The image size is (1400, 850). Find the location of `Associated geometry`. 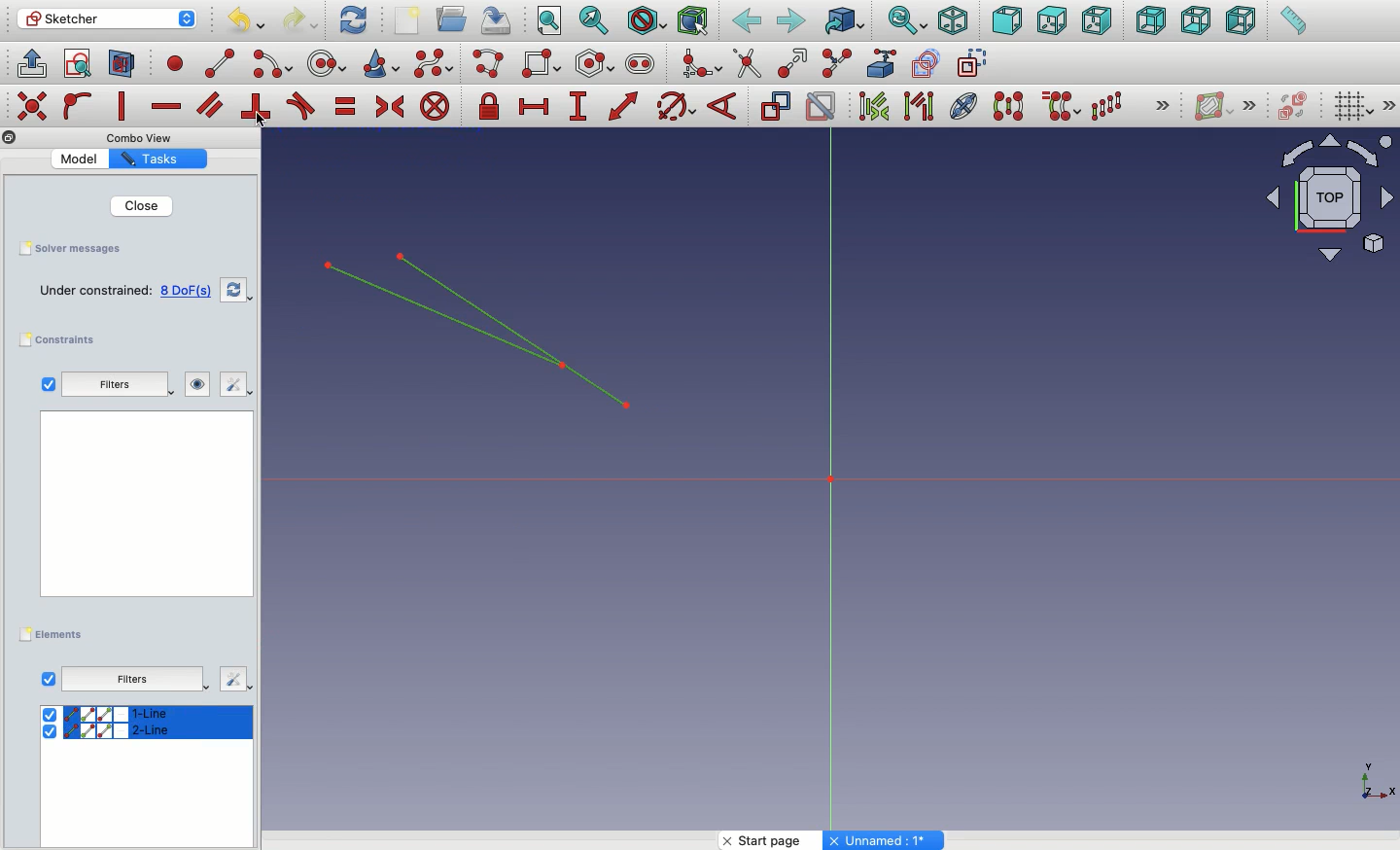

Associated geometry is located at coordinates (919, 109).